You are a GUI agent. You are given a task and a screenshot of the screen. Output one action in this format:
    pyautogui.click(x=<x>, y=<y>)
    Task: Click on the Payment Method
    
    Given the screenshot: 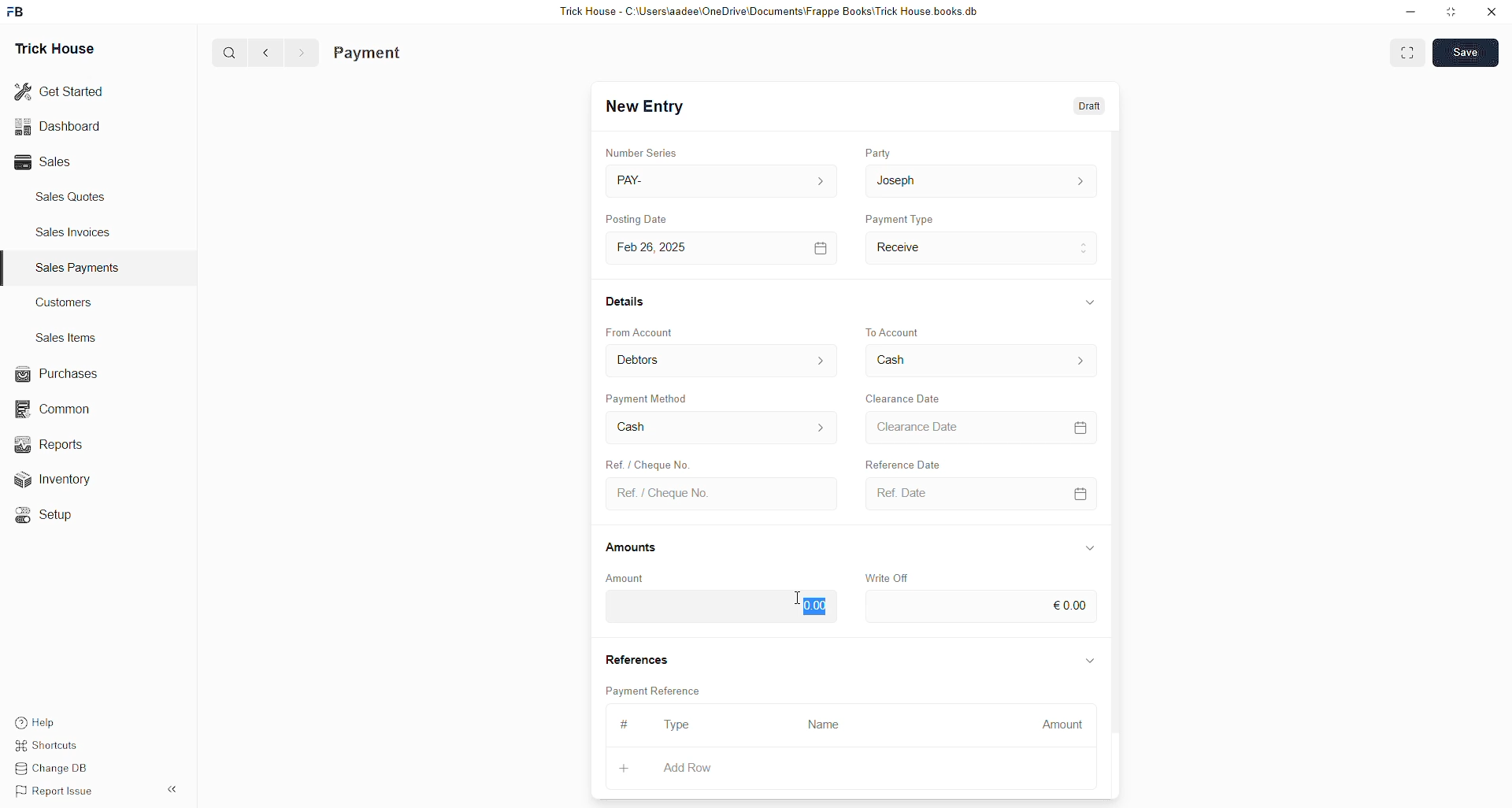 What is the action you would take?
    pyautogui.click(x=649, y=398)
    